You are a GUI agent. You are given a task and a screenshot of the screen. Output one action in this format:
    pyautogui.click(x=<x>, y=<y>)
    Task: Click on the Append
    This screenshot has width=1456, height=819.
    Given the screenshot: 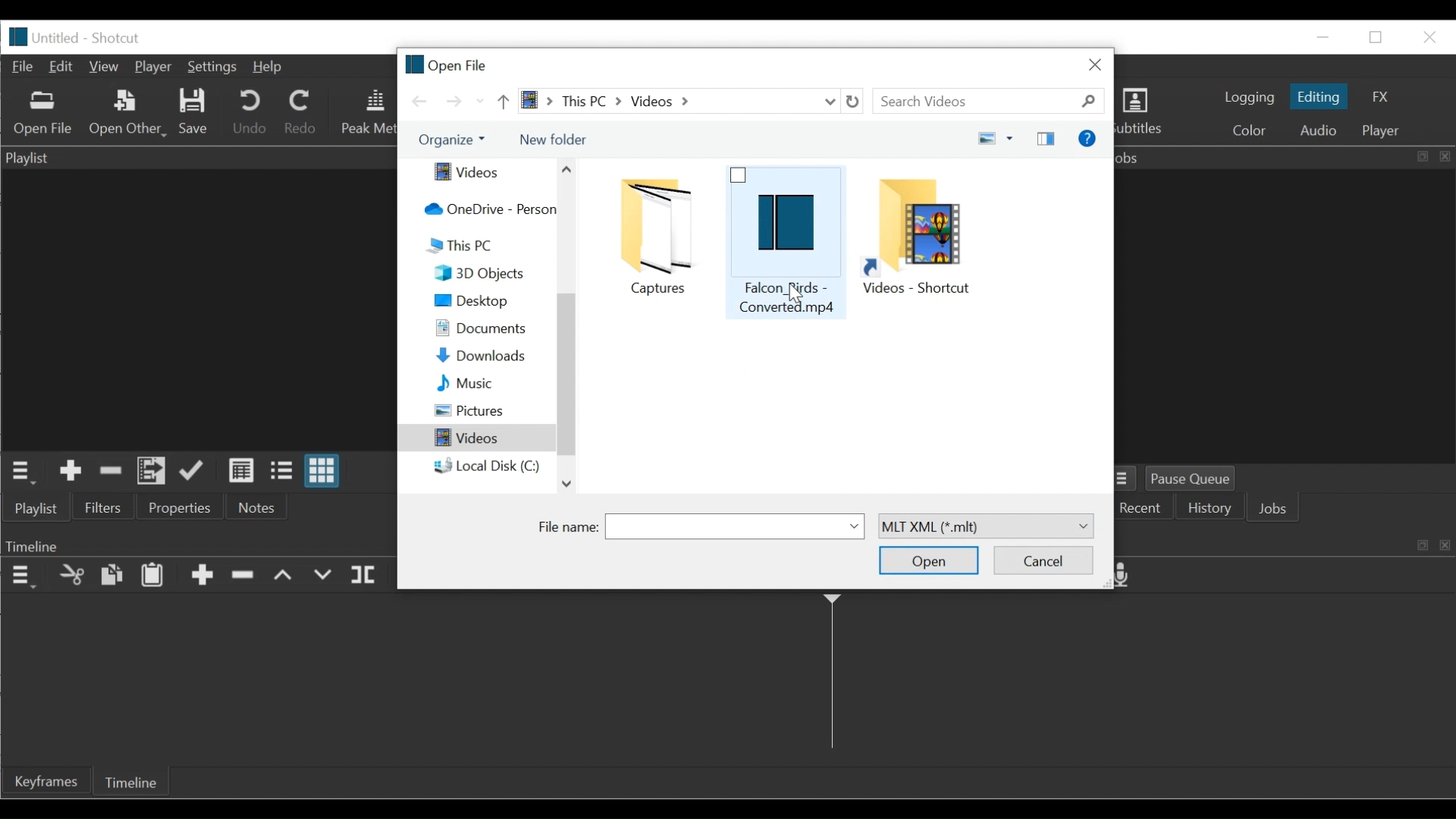 What is the action you would take?
    pyautogui.click(x=202, y=577)
    